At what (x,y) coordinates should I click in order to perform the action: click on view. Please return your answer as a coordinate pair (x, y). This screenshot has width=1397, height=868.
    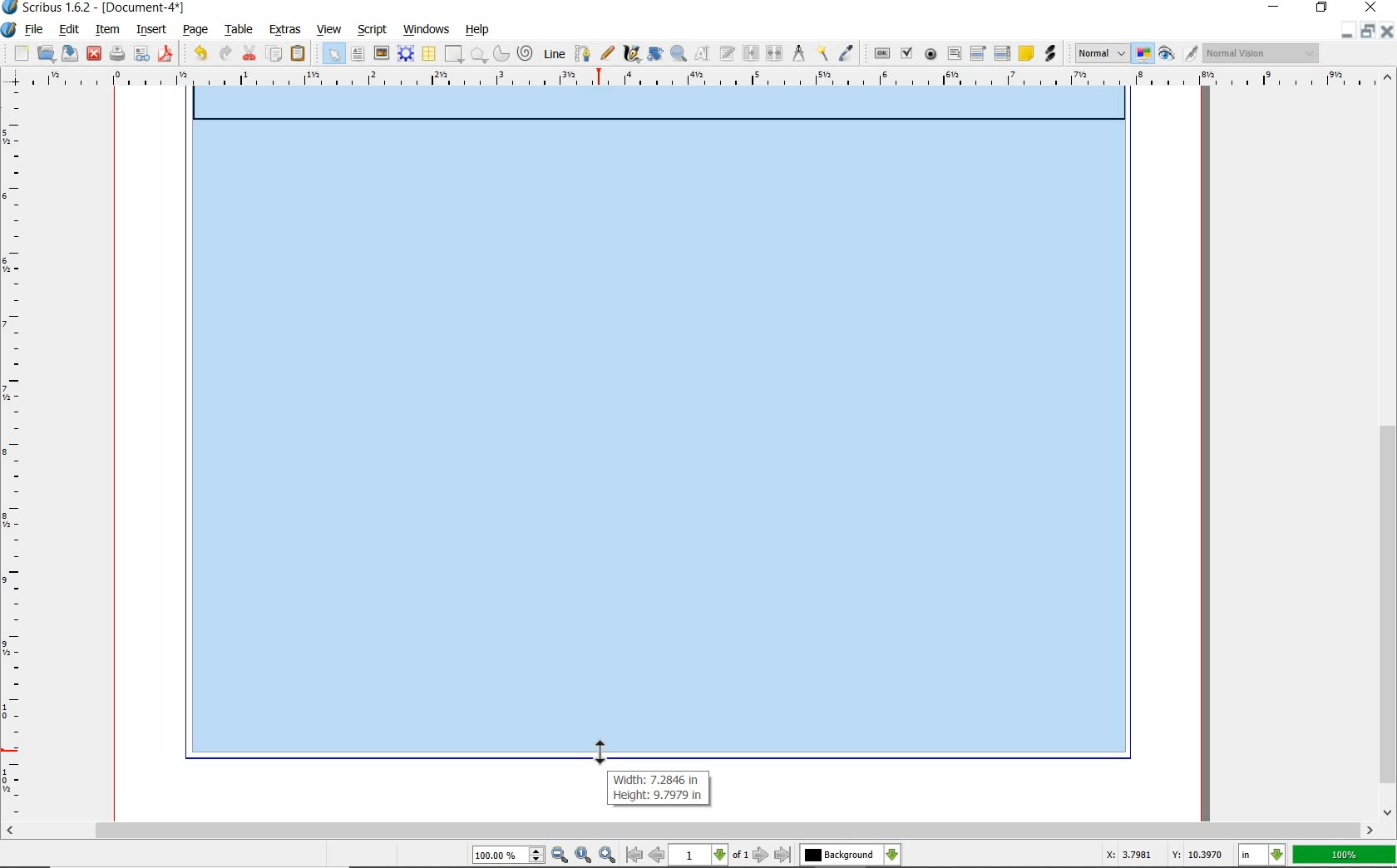
    Looking at the image, I should click on (329, 30).